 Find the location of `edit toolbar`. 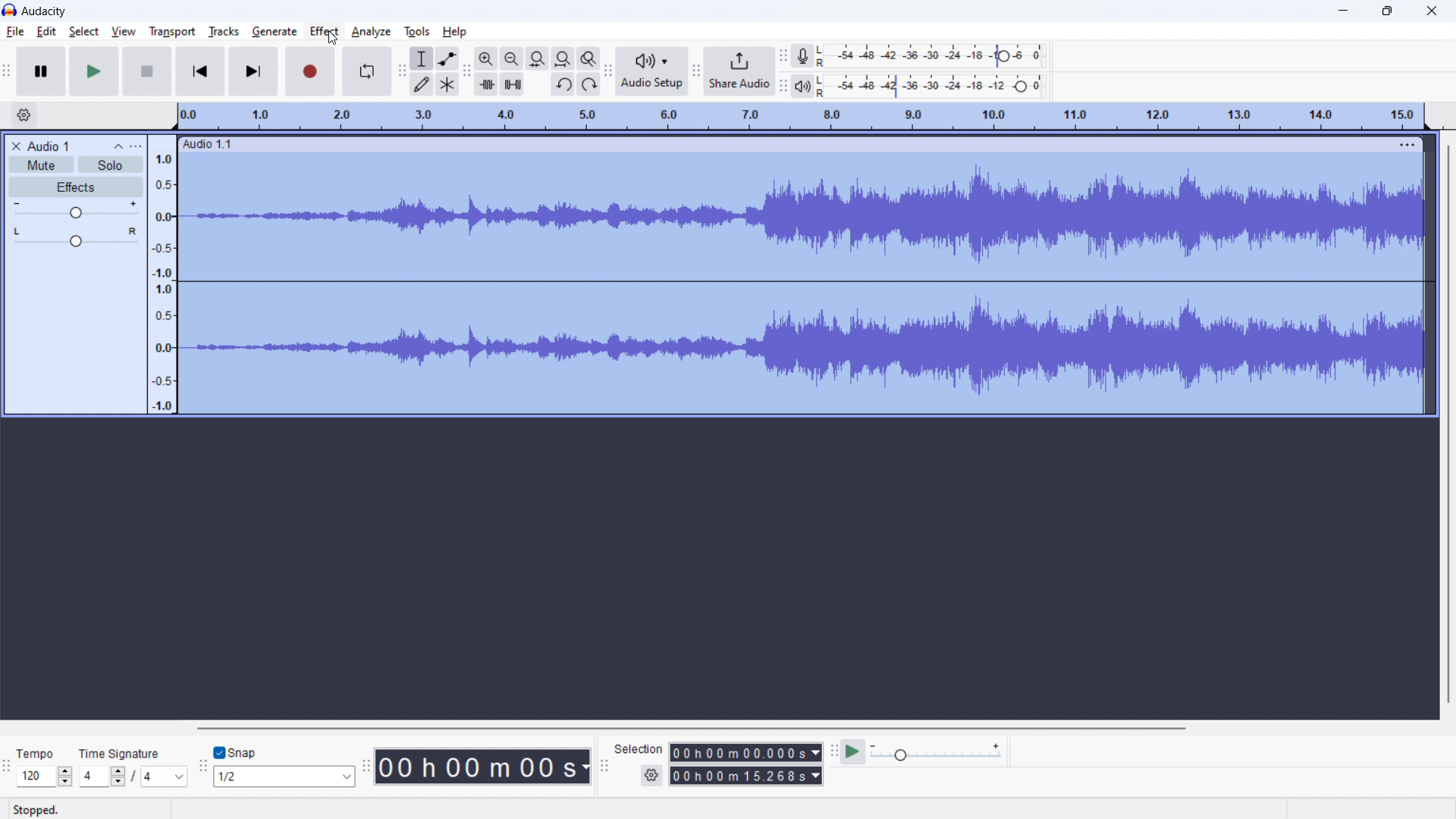

edit toolbar is located at coordinates (466, 71).